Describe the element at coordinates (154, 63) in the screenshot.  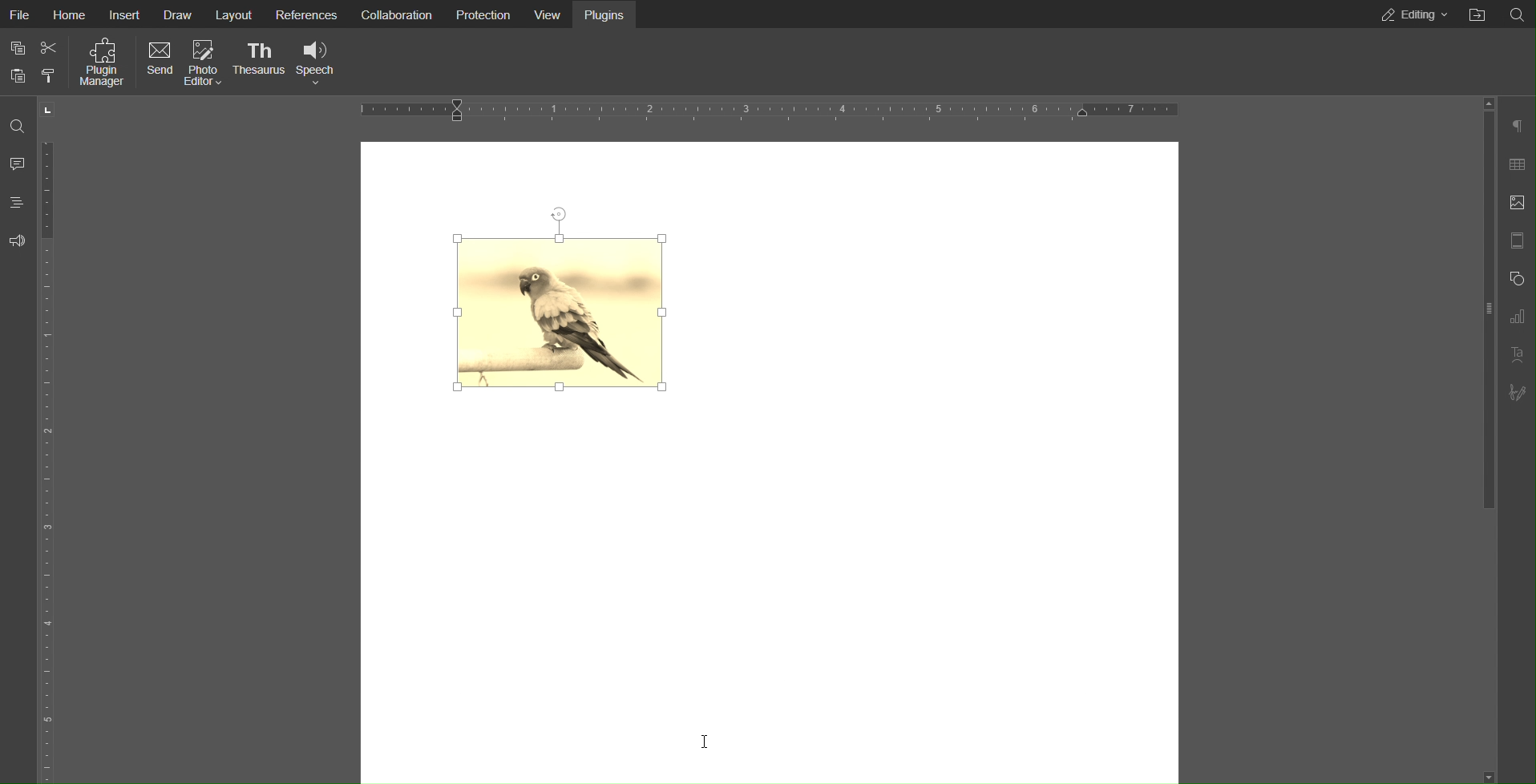
I see `Send ` at that location.